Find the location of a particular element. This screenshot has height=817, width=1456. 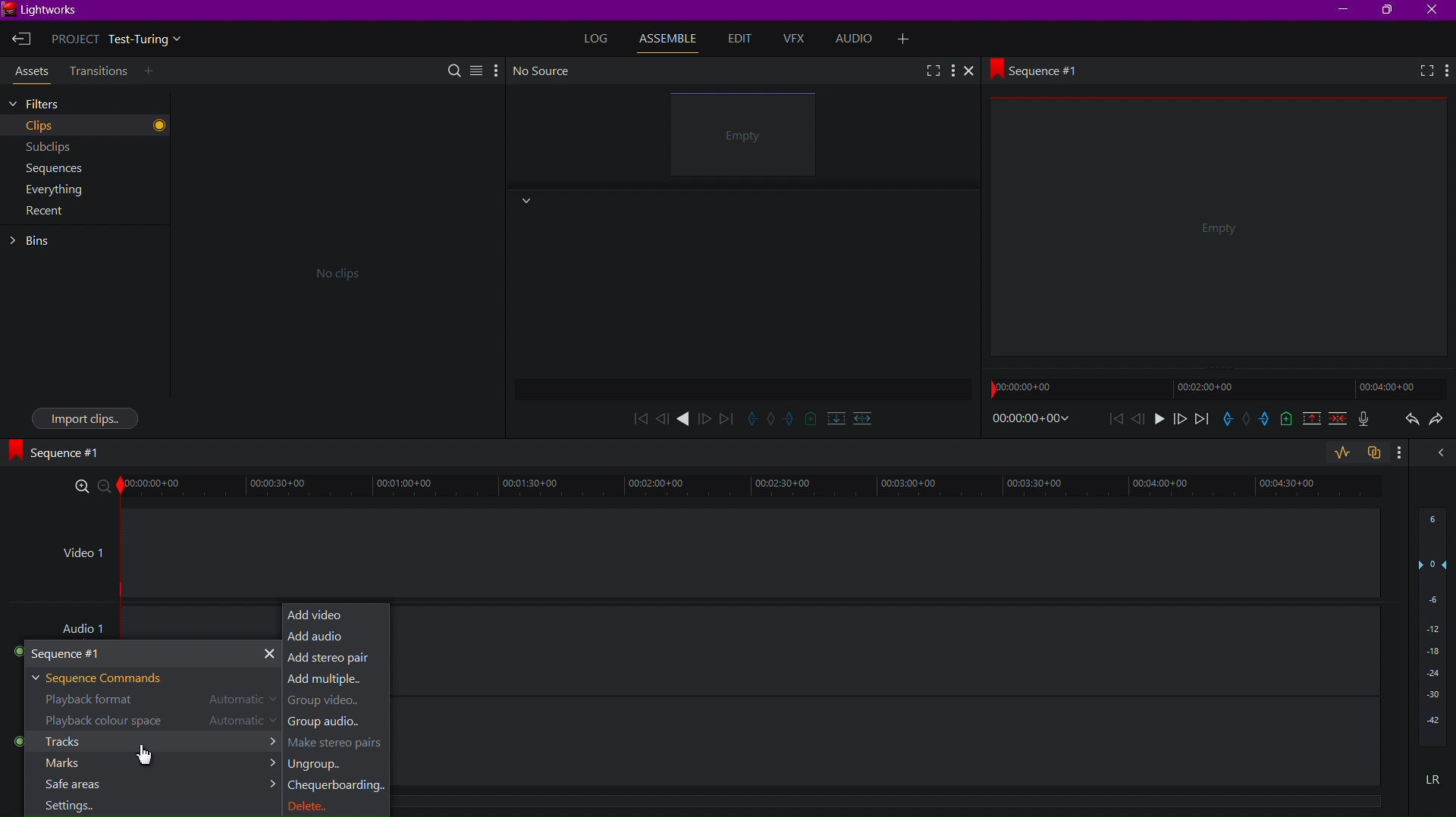

Timestamp is located at coordinates (1031, 419).